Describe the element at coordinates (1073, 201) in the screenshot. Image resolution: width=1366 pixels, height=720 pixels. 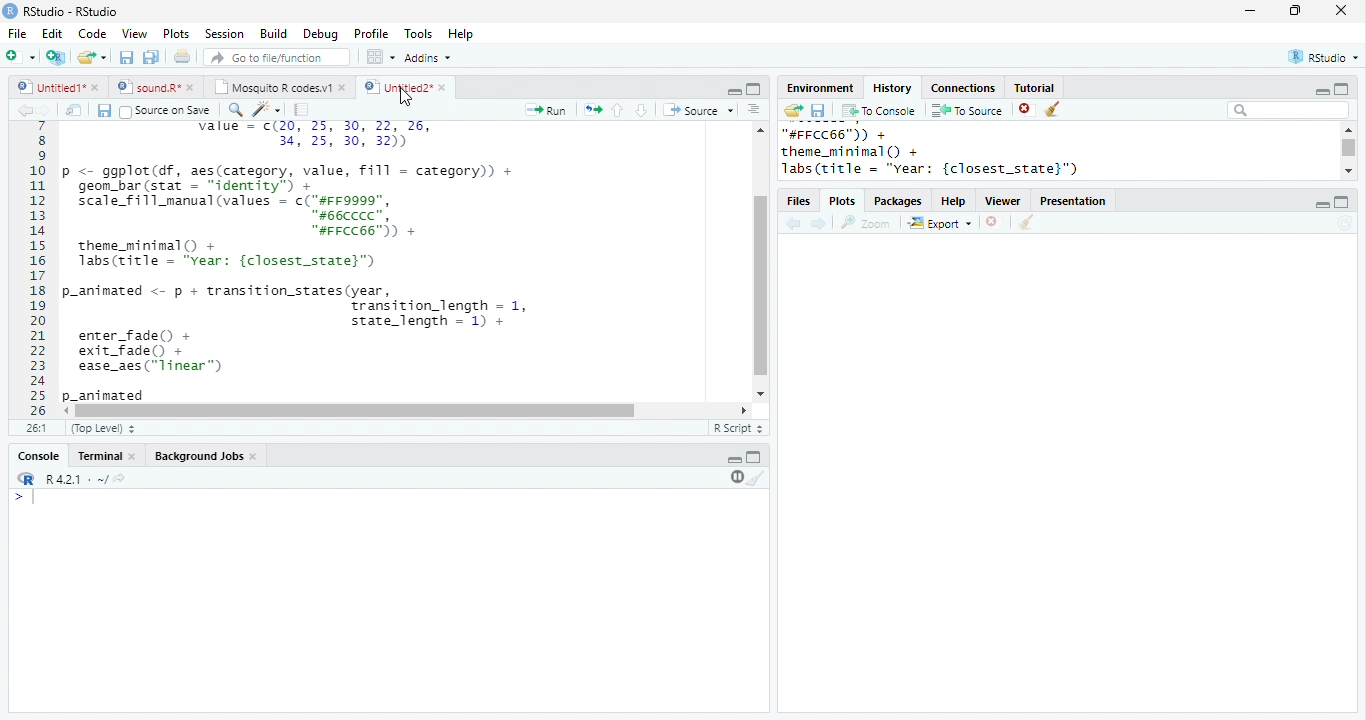
I see `Presentation` at that location.